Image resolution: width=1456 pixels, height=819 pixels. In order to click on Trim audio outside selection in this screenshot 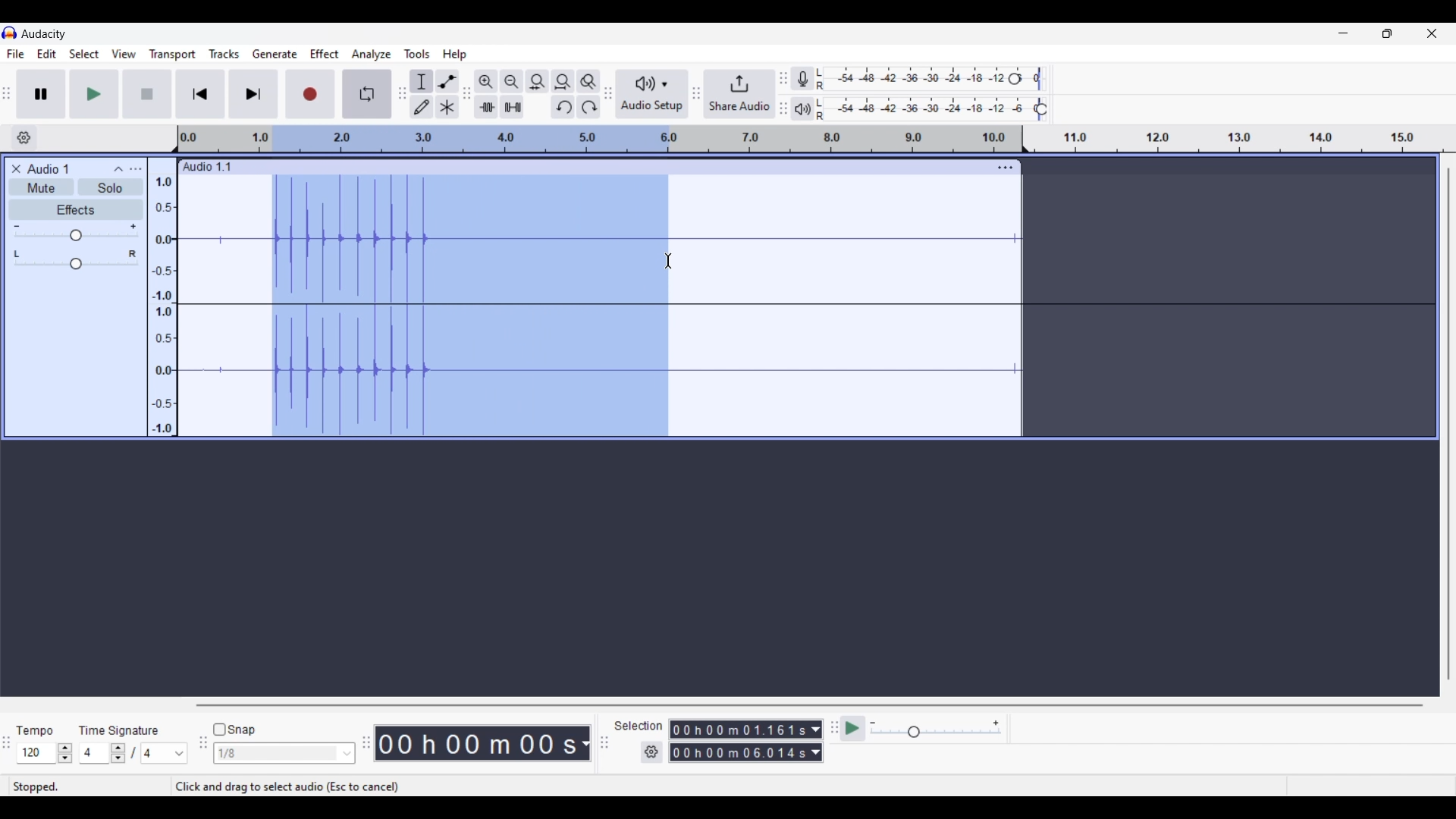, I will do `click(486, 107)`.